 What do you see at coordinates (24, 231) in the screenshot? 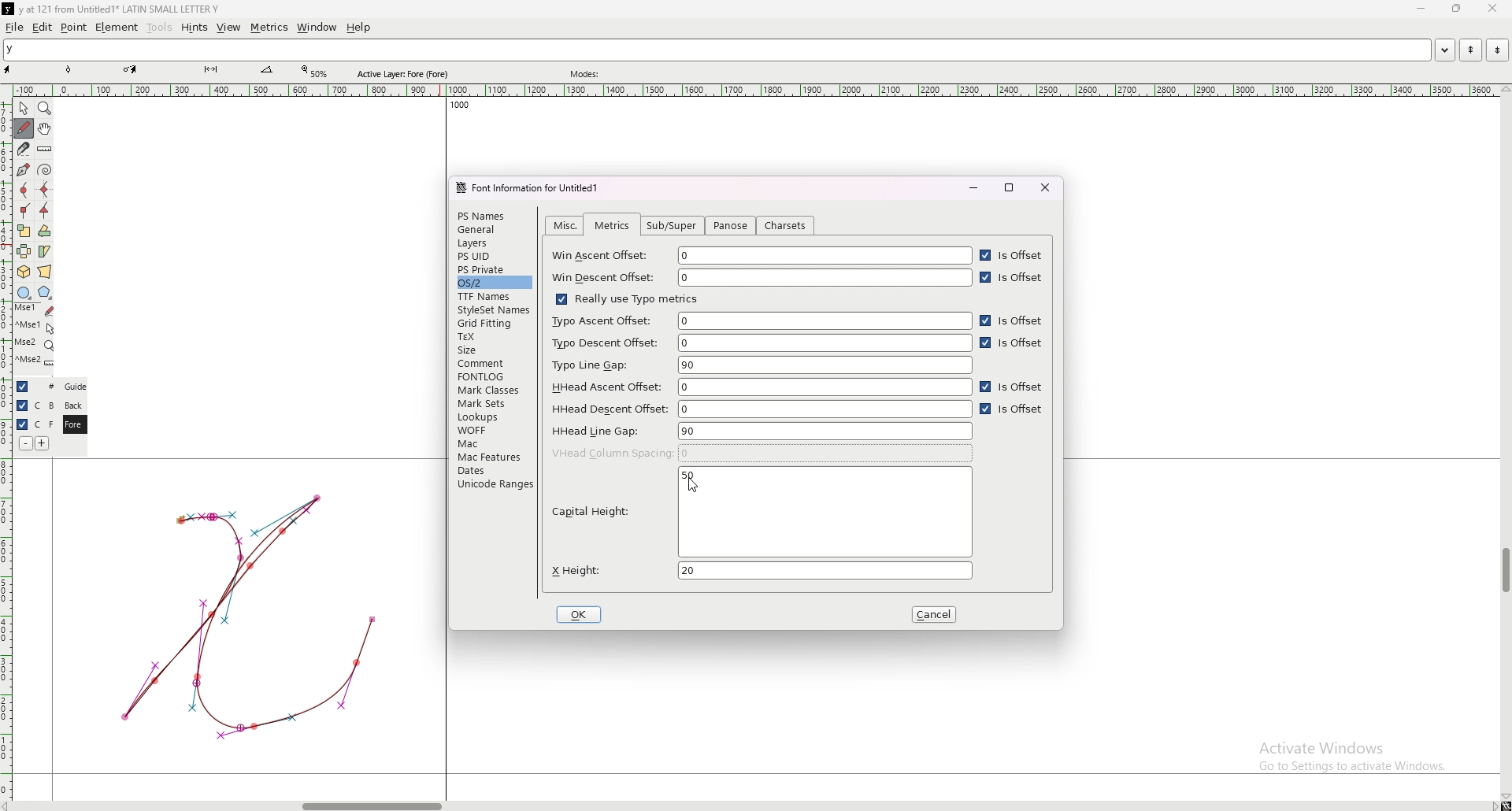
I see `scale the selection` at bounding box center [24, 231].